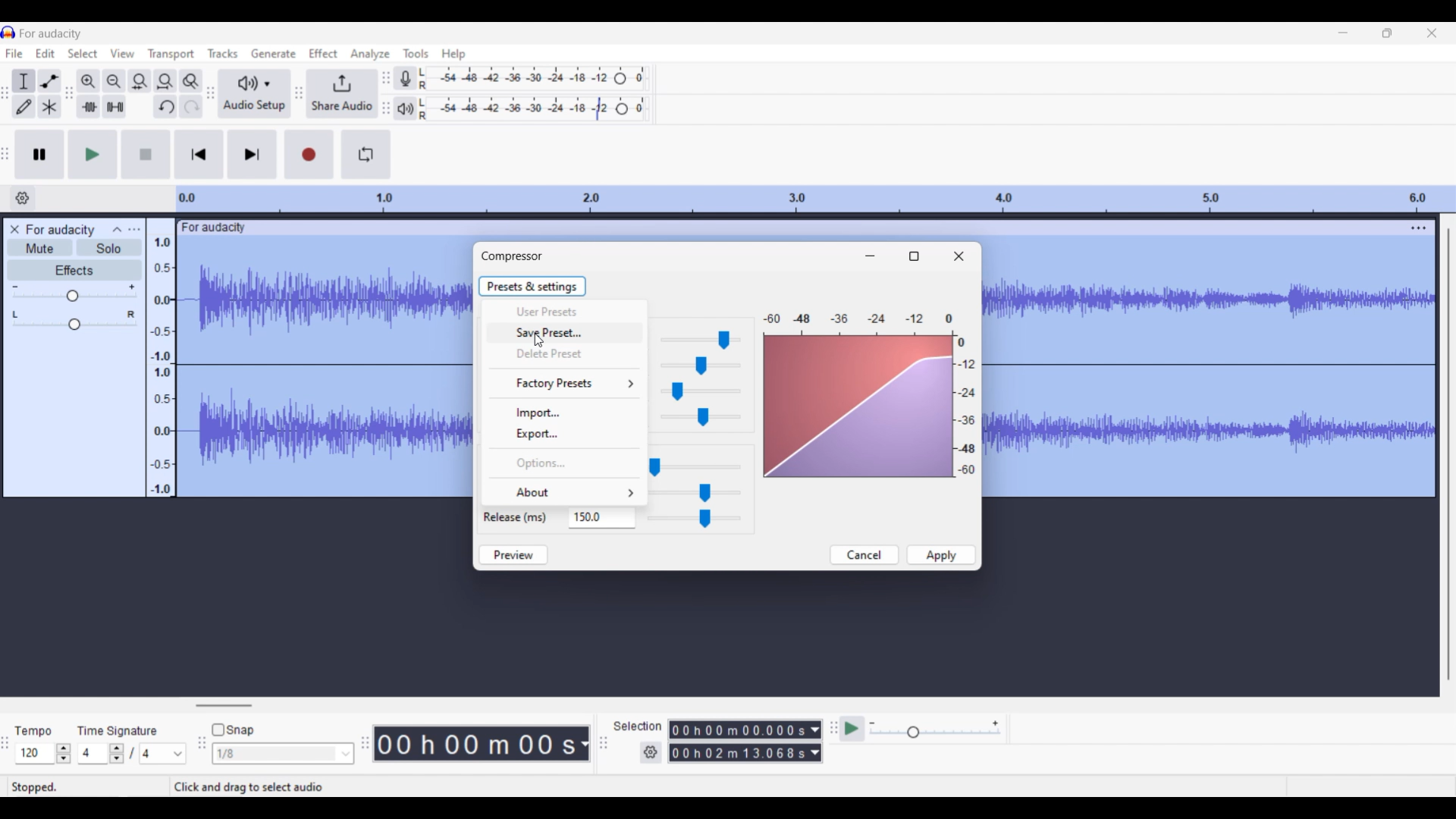 This screenshot has height=819, width=1456. I want to click on Effect menu, so click(323, 53).